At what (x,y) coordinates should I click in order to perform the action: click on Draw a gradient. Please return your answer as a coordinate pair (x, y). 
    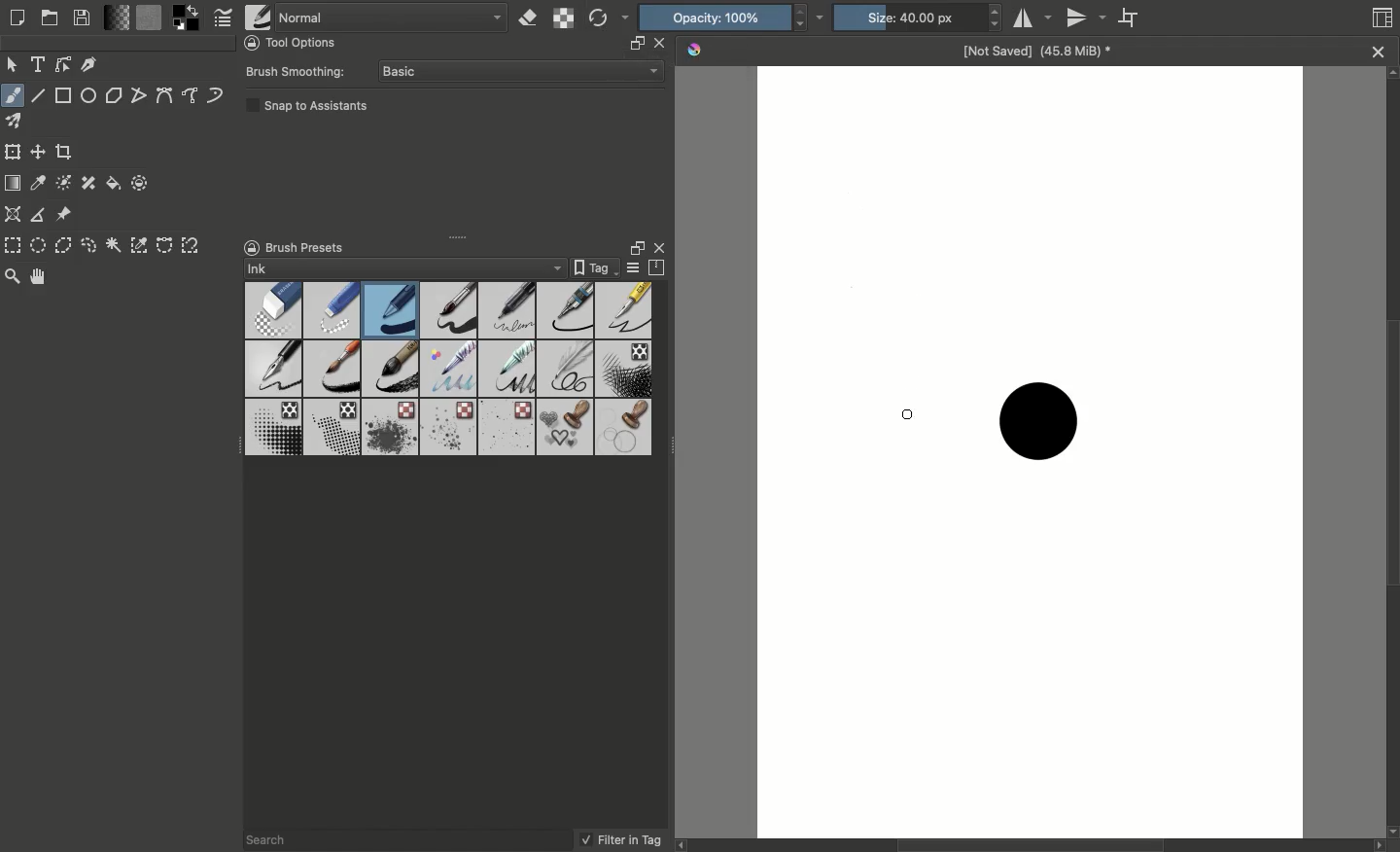
    Looking at the image, I should click on (14, 183).